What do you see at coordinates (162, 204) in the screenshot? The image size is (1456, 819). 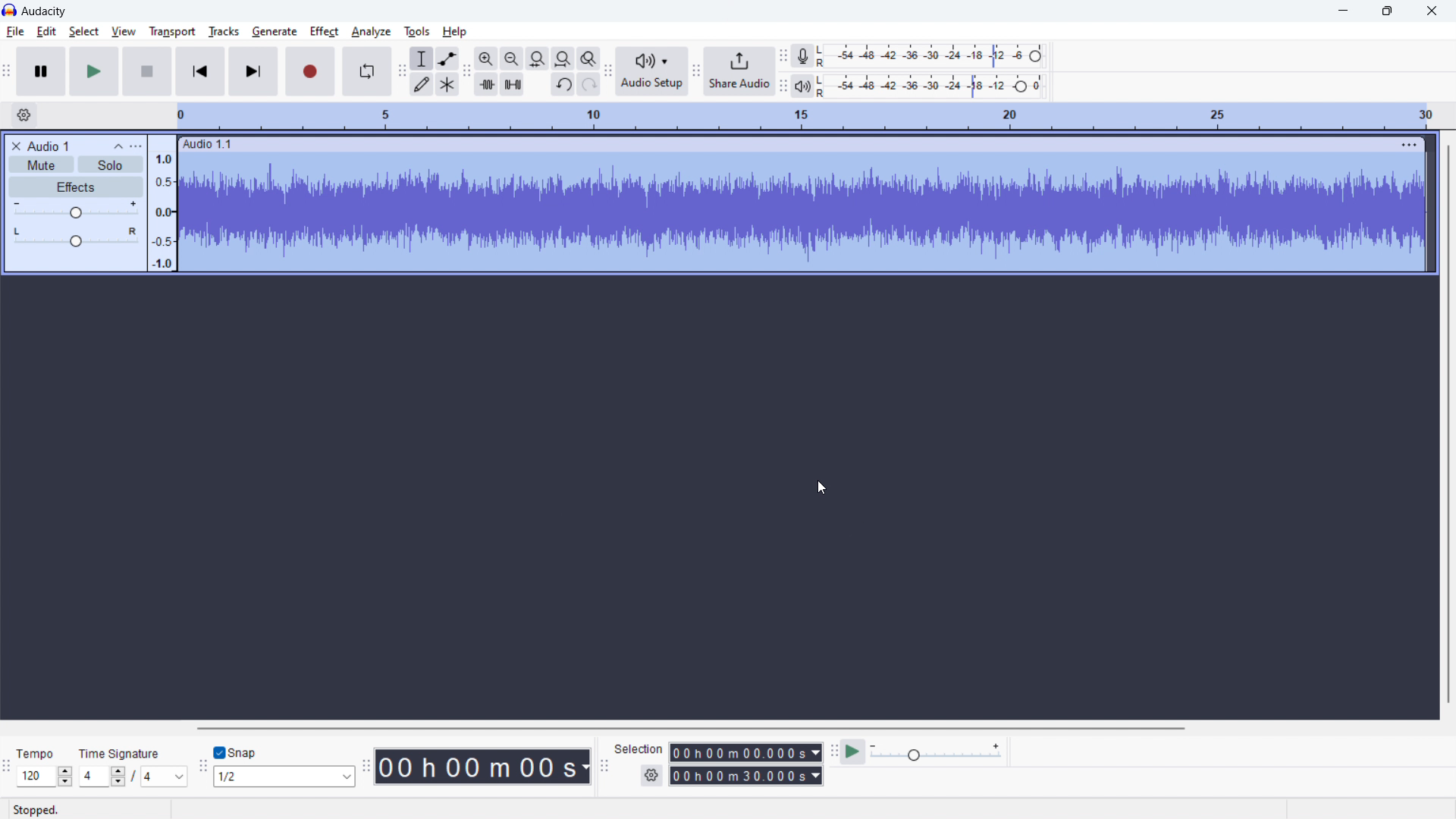 I see `amplitude` at bounding box center [162, 204].